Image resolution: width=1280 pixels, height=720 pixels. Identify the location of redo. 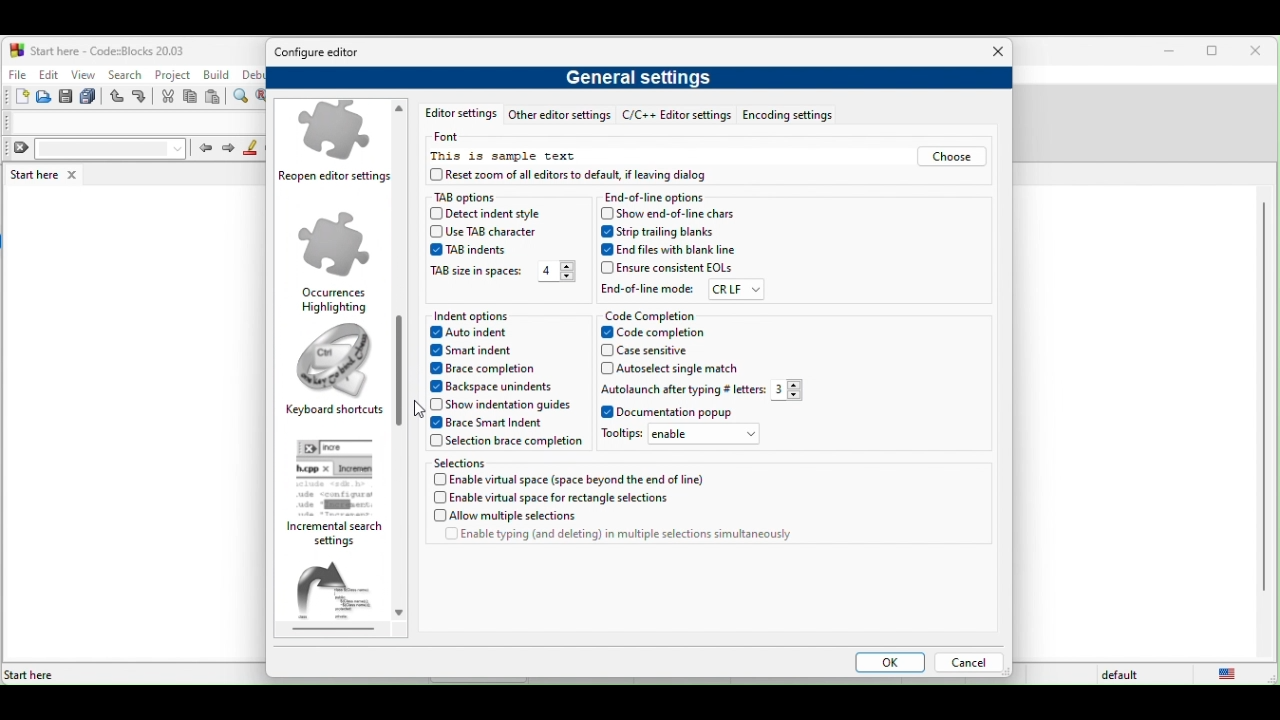
(142, 97).